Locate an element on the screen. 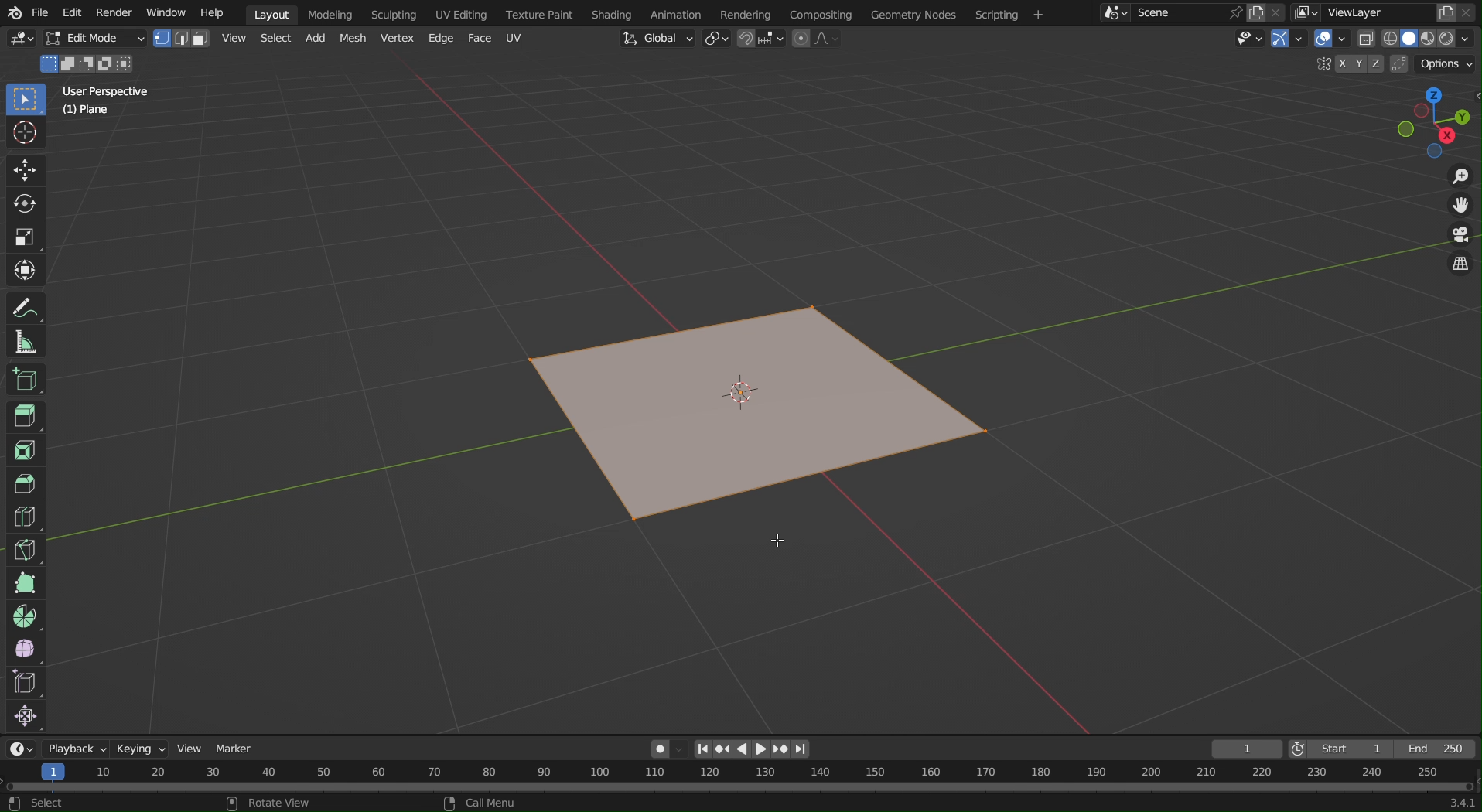 Image resolution: width=1482 pixels, height=812 pixels. Transform Pivot Point is located at coordinates (716, 40).